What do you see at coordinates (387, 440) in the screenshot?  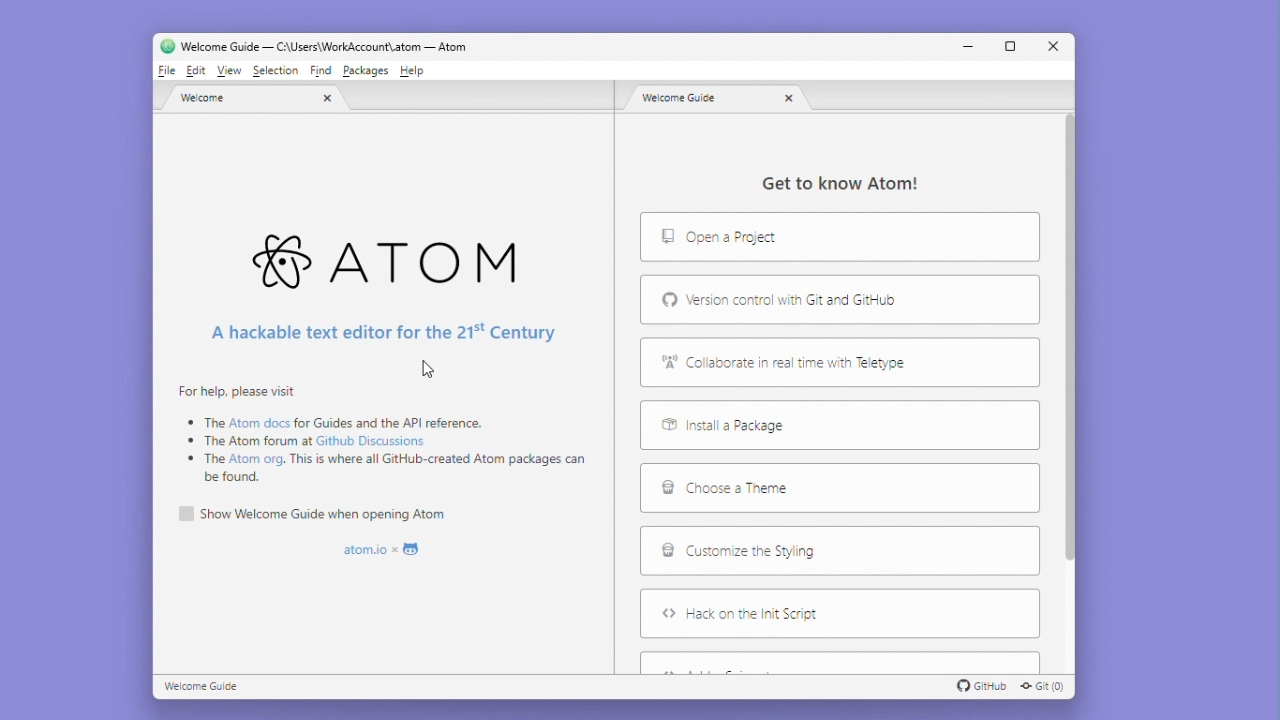 I see `For help, please visit

The Atom docs for Guides and the API reference.

The Atom forum at Github Discussions.

The Atom org. This is where all GitHub-created Atom packages can
be found.` at bounding box center [387, 440].